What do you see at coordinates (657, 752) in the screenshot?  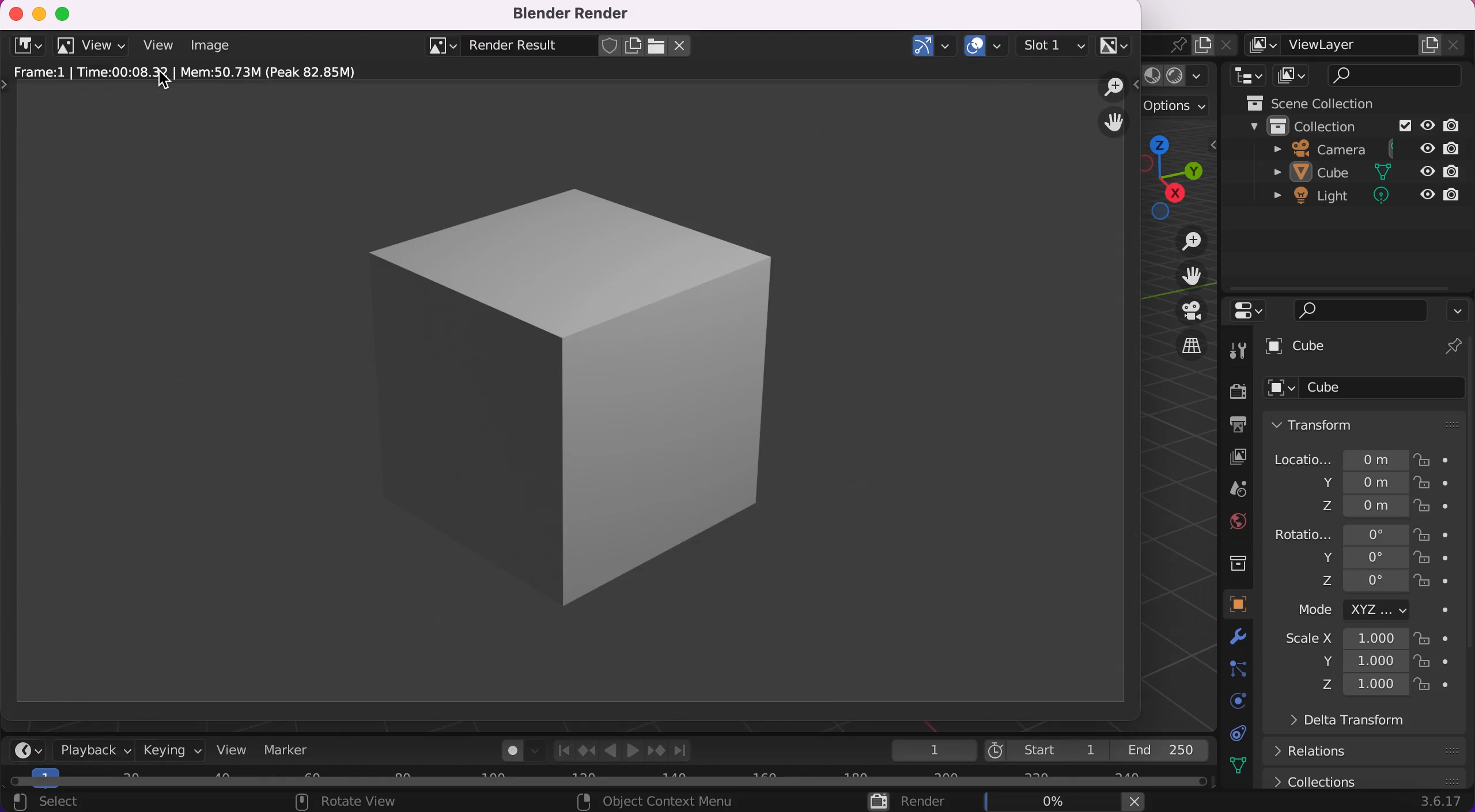 I see `jump to keyframe` at bounding box center [657, 752].